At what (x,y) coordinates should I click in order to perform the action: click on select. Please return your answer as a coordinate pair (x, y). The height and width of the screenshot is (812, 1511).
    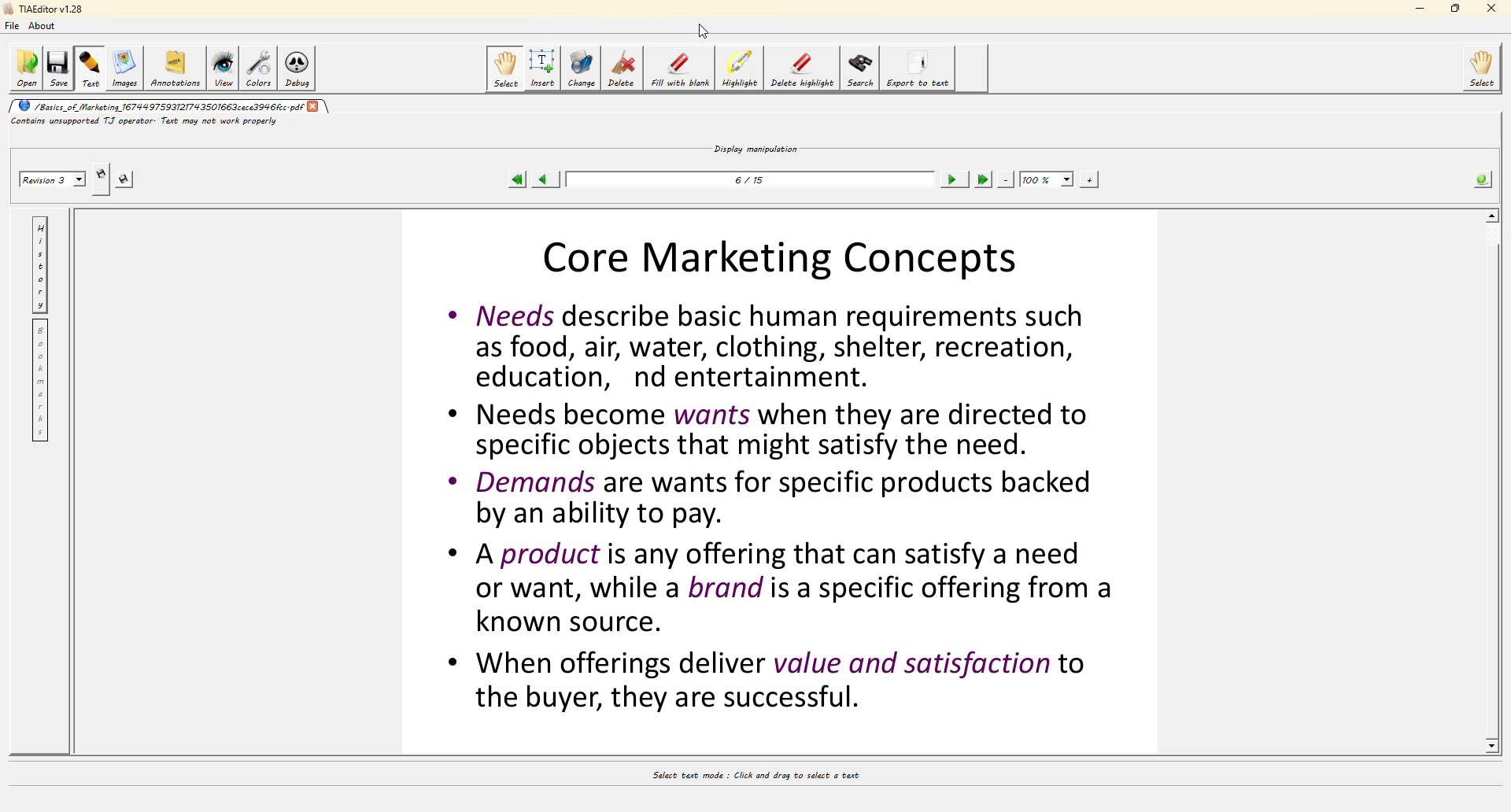
    Looking at the image, I should click on (1486, 66).